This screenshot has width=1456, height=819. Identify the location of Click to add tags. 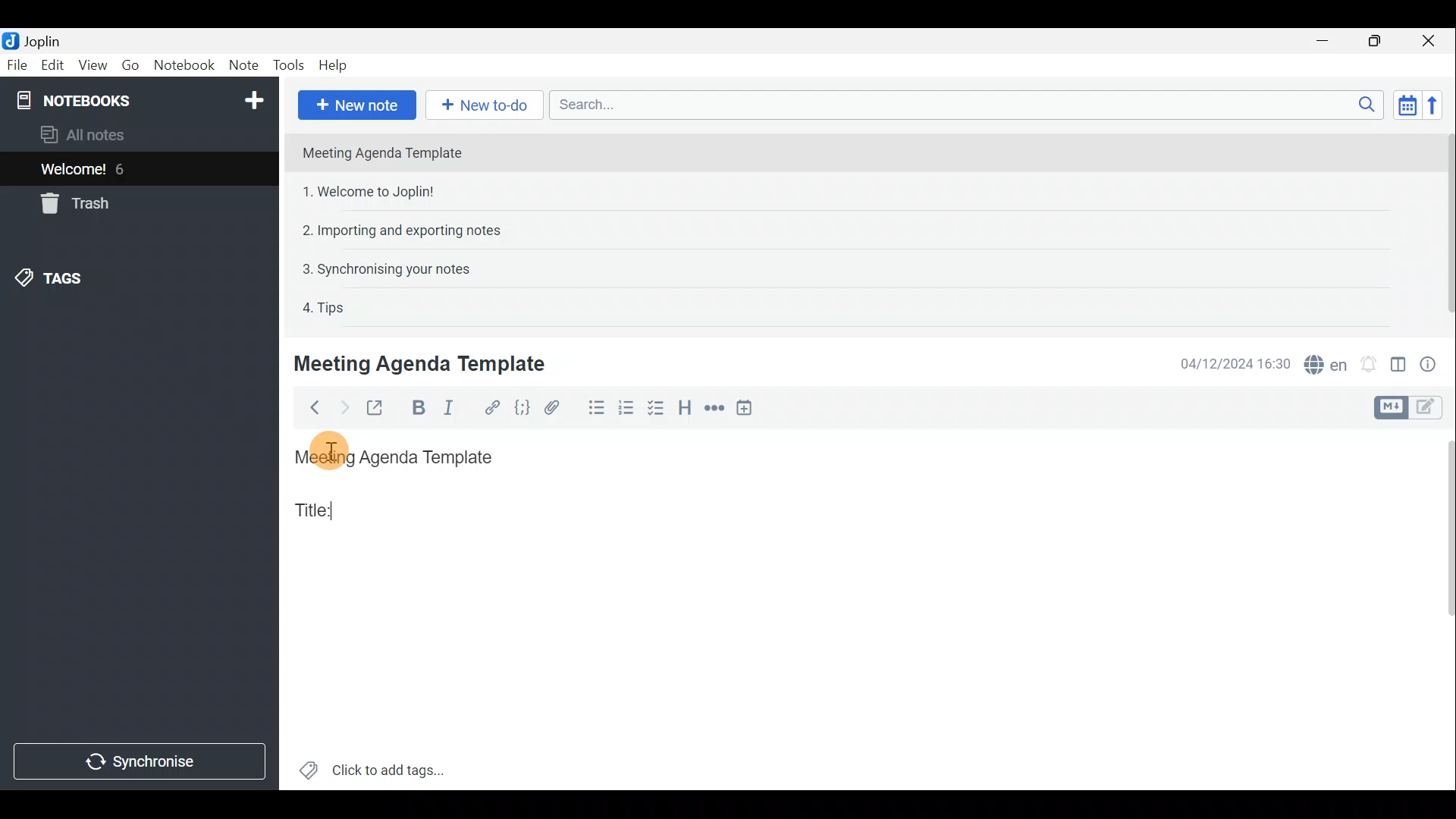
(393, 767).